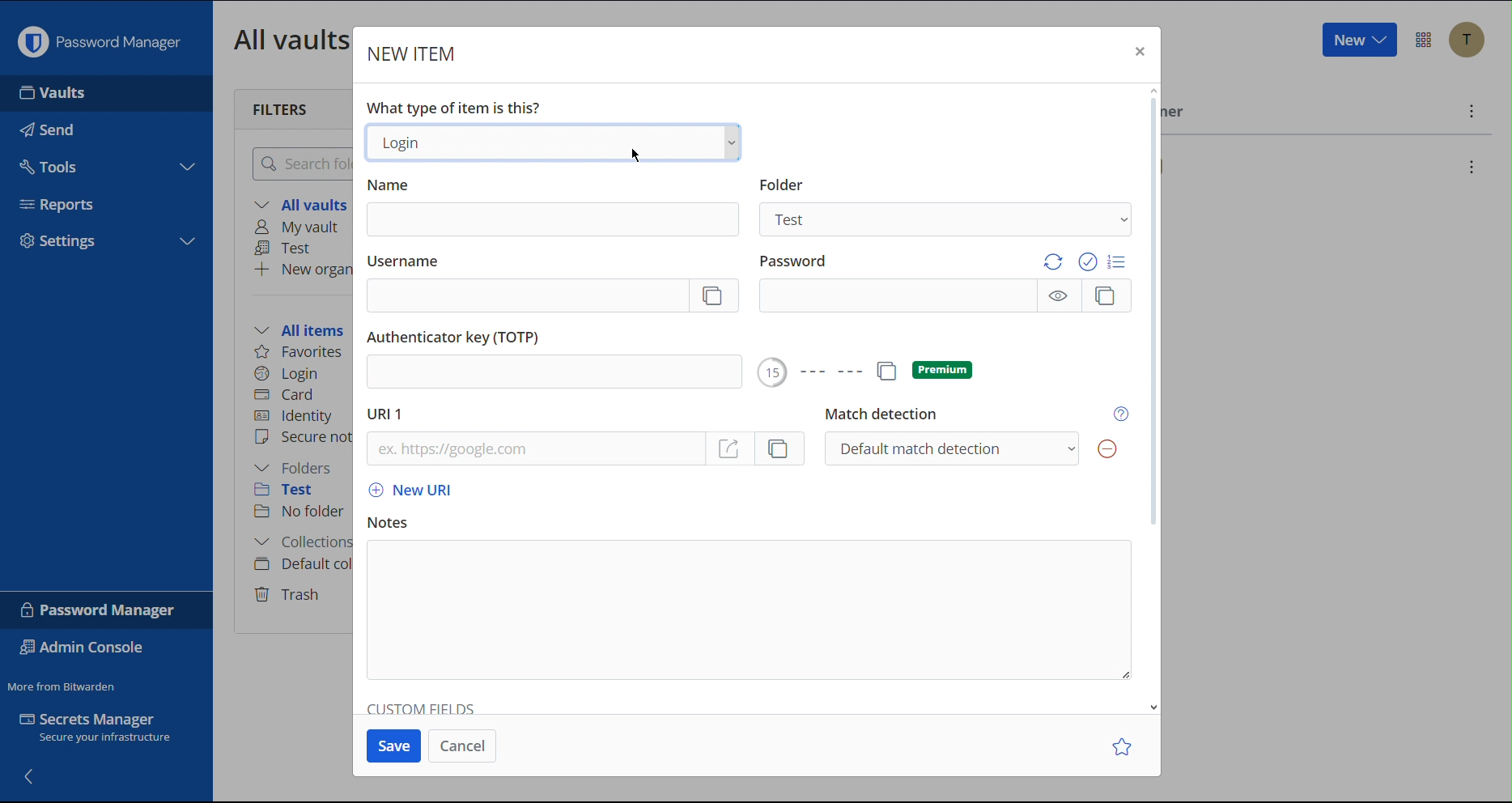 This screenshot has height=803, width=1512. I want to click on More from Bitwarden, so click(64, 683).